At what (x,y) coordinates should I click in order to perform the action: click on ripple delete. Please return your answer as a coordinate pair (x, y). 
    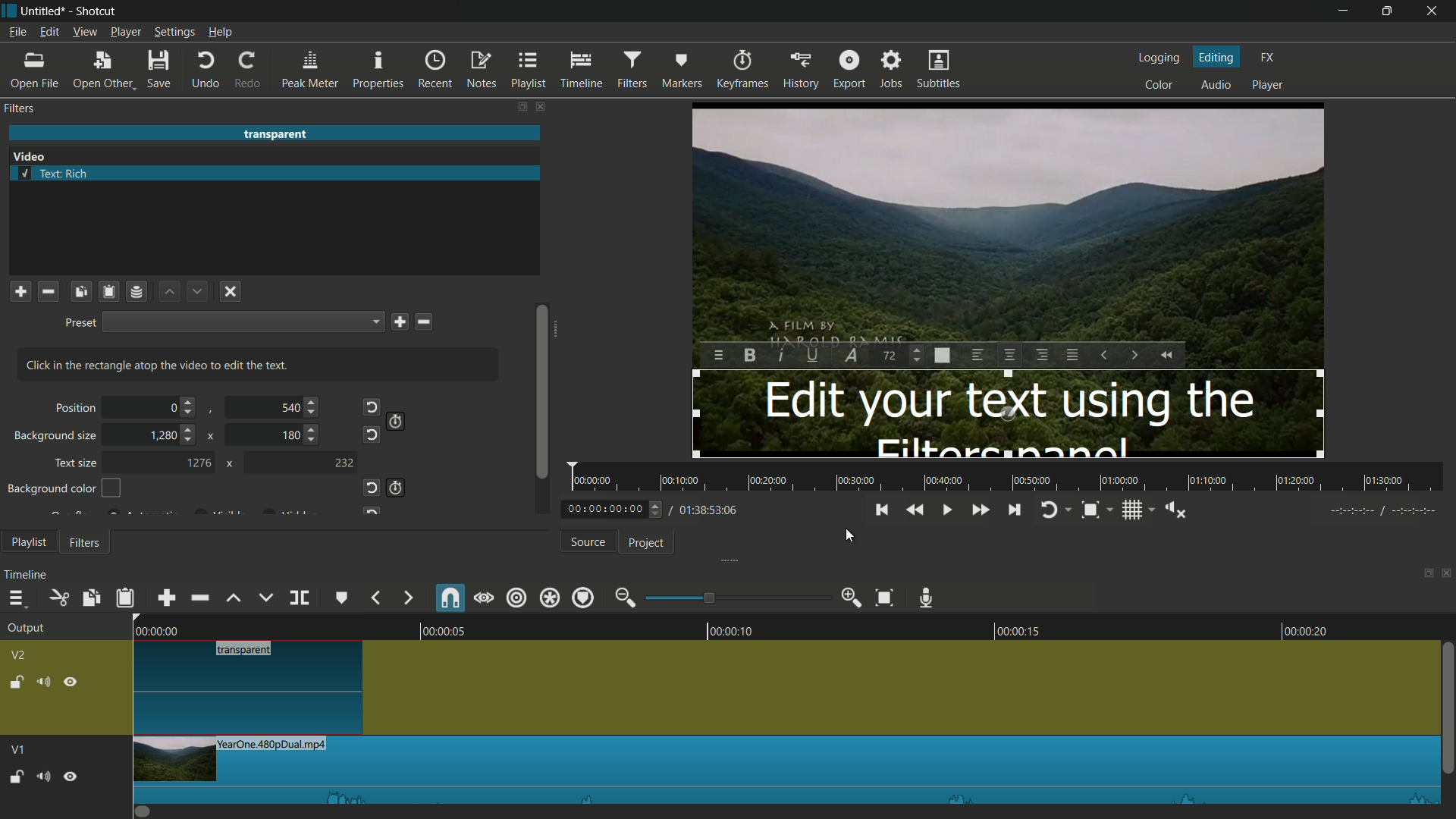
    Looking at the image, I should click on (197, 598).